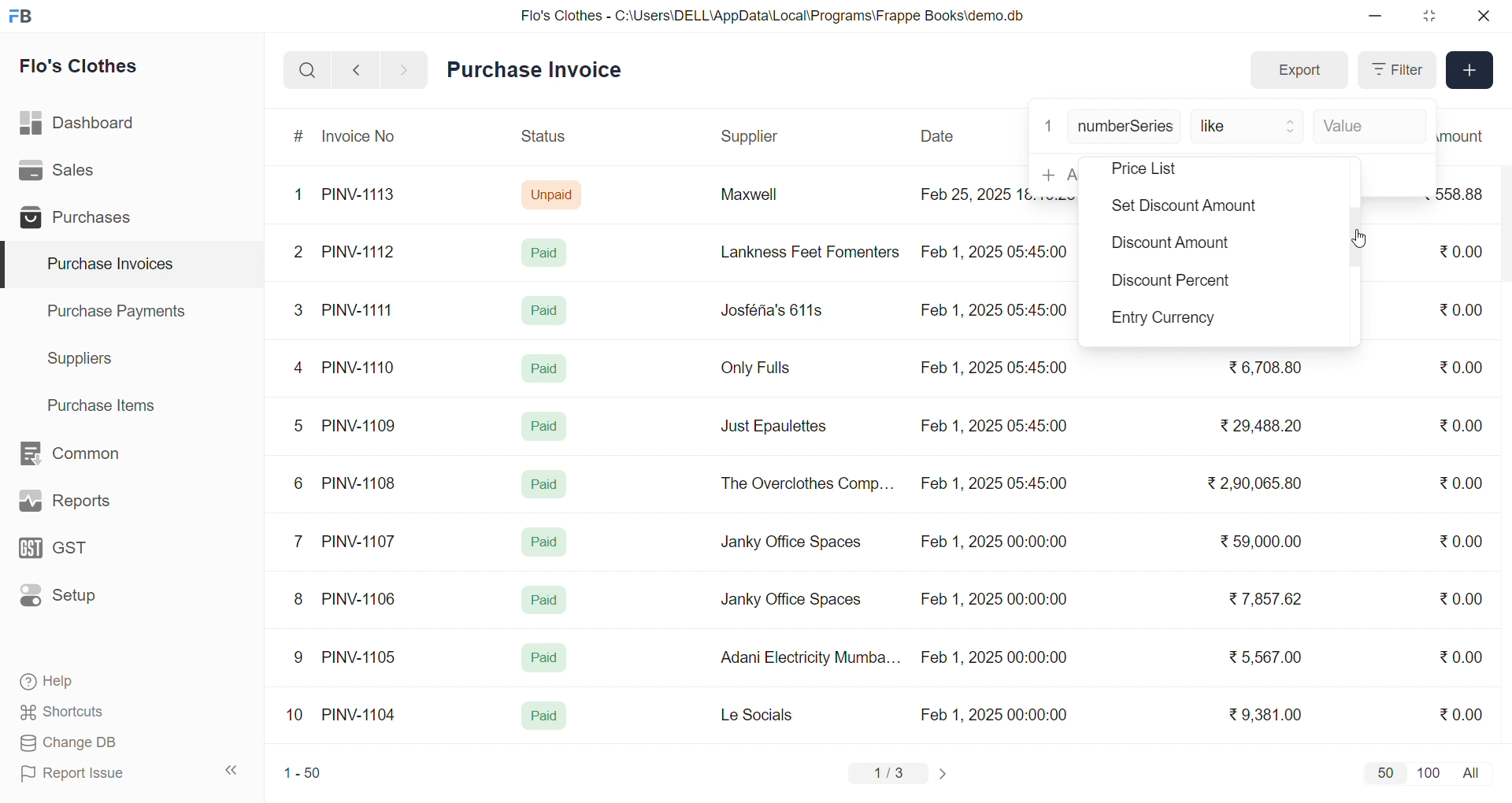 The image size is (1512, 803). What do you see at coordinates (1466, 539) in the screenshot?
I see `₹0.00` at bounding box center [1466, 539].